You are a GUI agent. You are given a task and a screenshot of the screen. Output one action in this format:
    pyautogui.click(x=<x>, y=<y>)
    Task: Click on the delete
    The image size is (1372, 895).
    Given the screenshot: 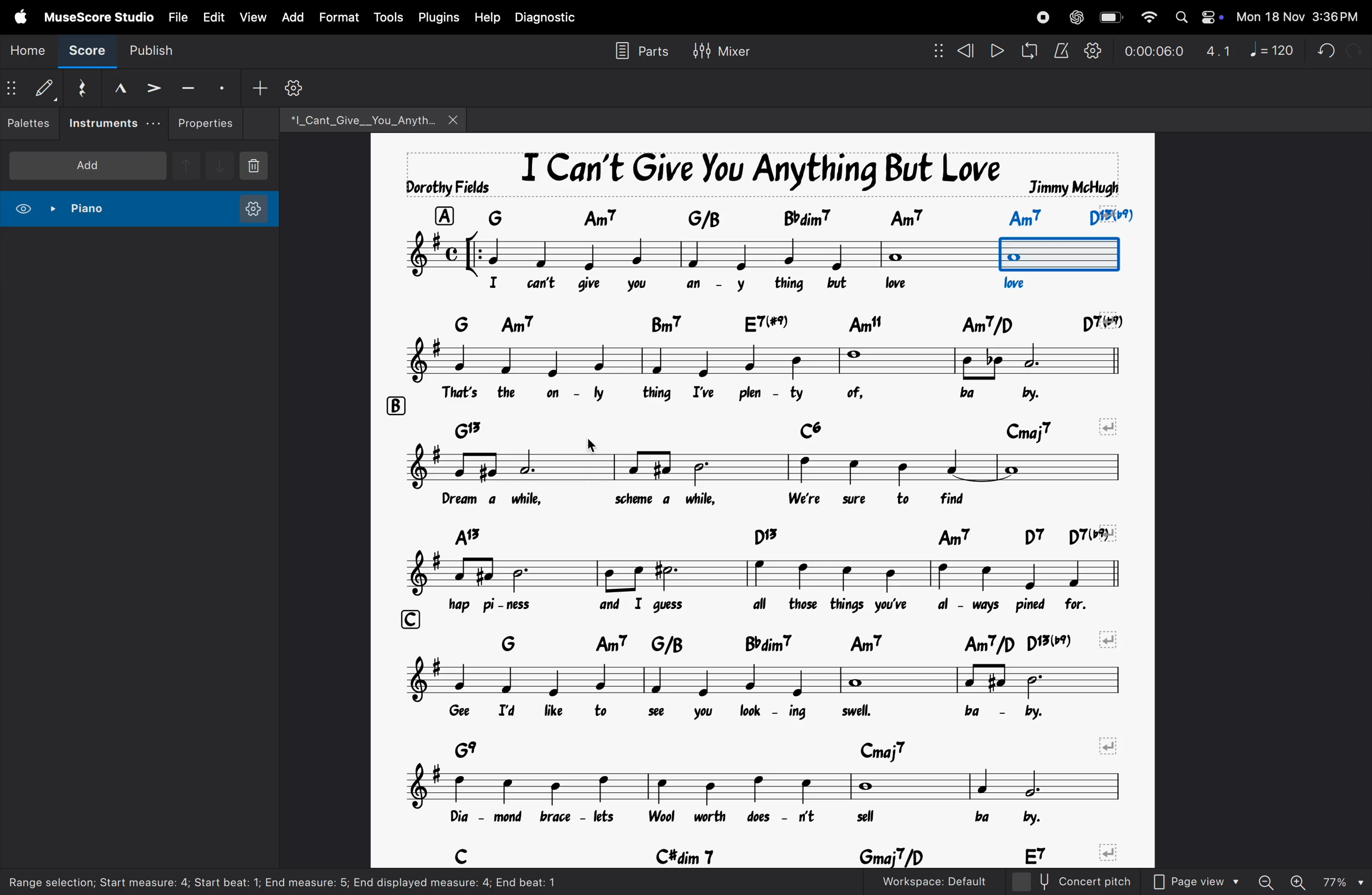 What is the action you would take?
    pyautogui.click(x=257, y=167)
    